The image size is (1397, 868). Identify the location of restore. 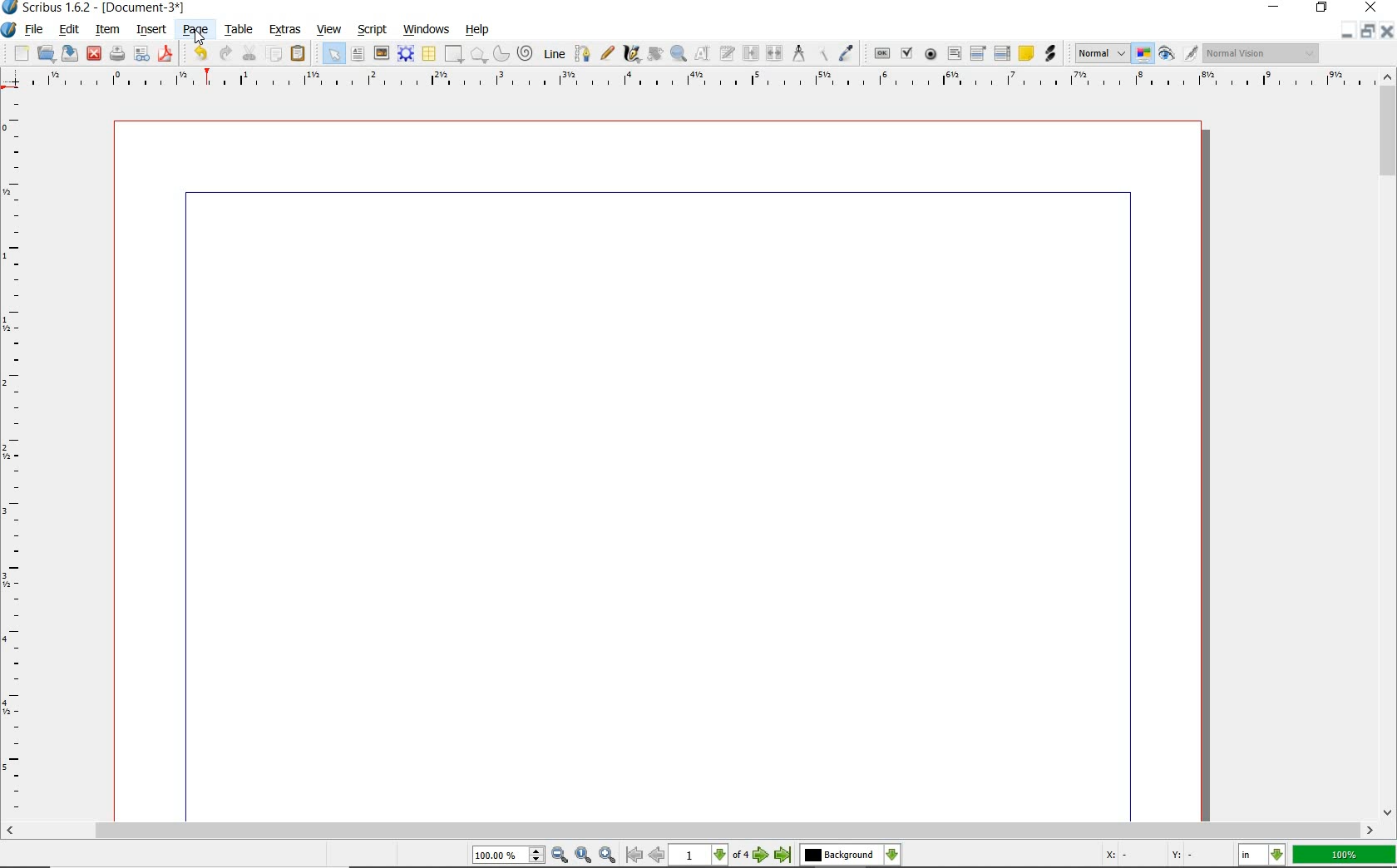
(1321, 10).